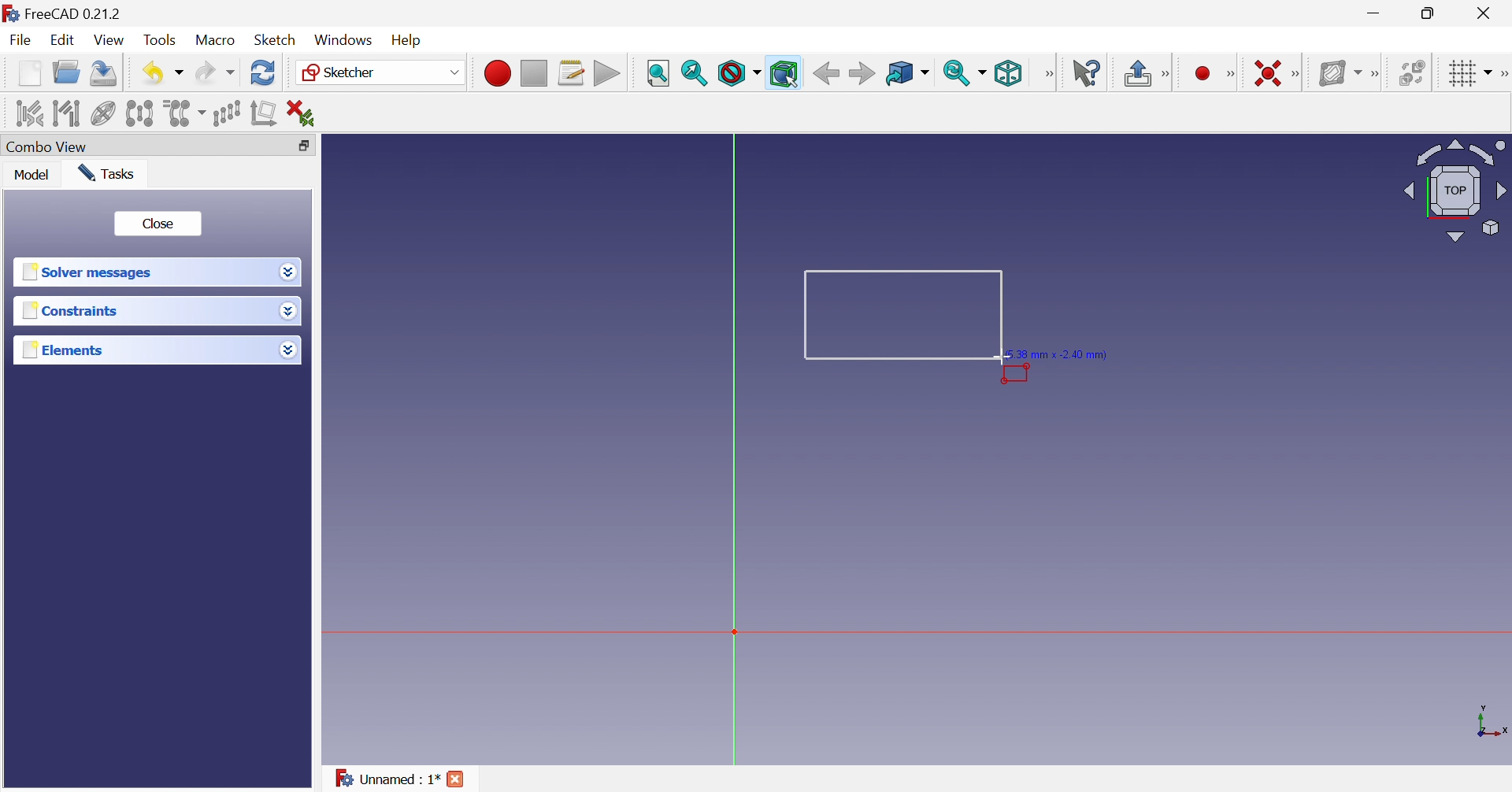 The width and height of the screenshot is (1512, 792). I want to click on Sketcher constraints, so click(1296, 72).